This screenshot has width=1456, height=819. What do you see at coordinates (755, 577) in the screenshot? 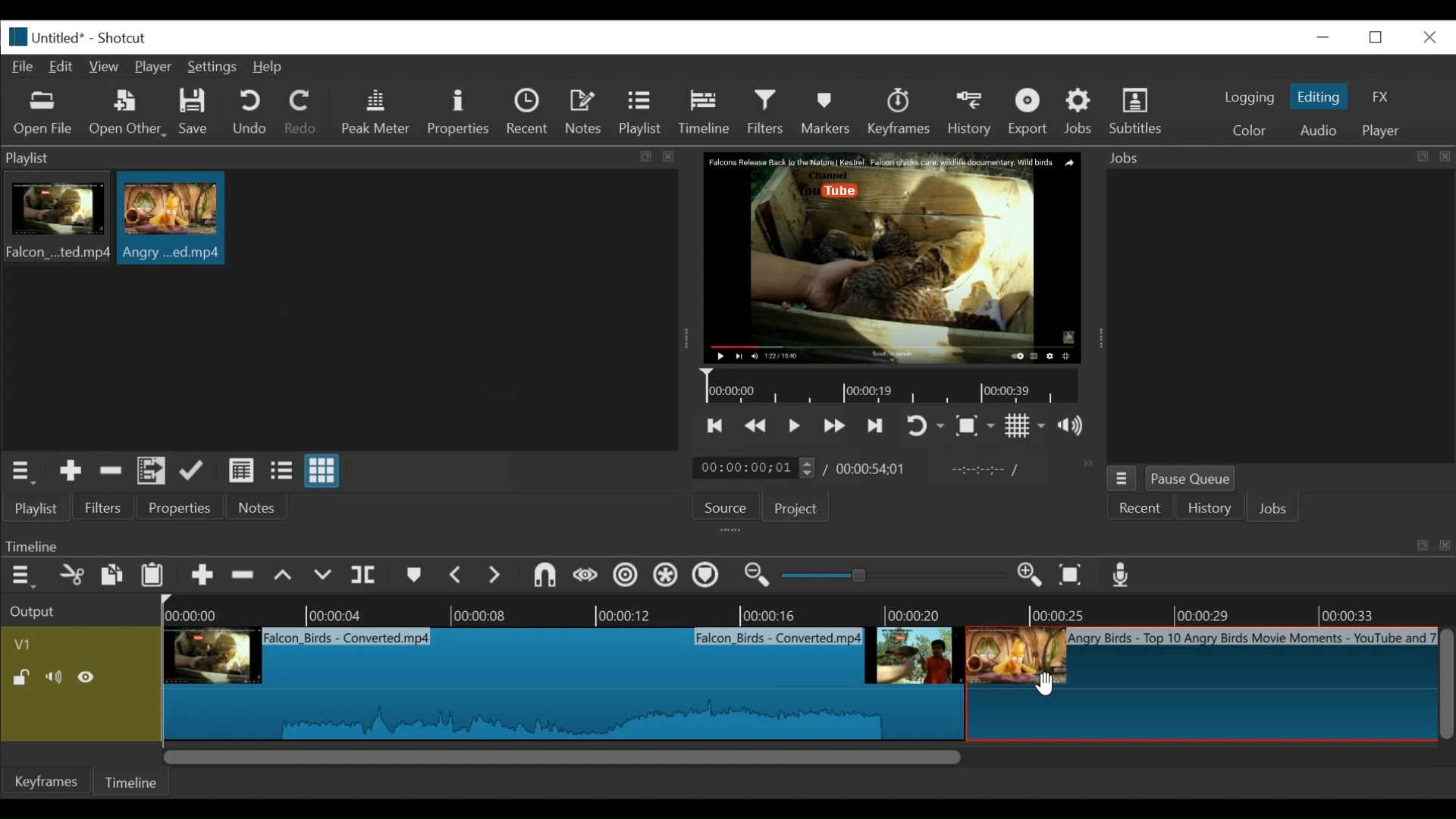
I see `Zoom timeline in` at bounding box center [755, 577].